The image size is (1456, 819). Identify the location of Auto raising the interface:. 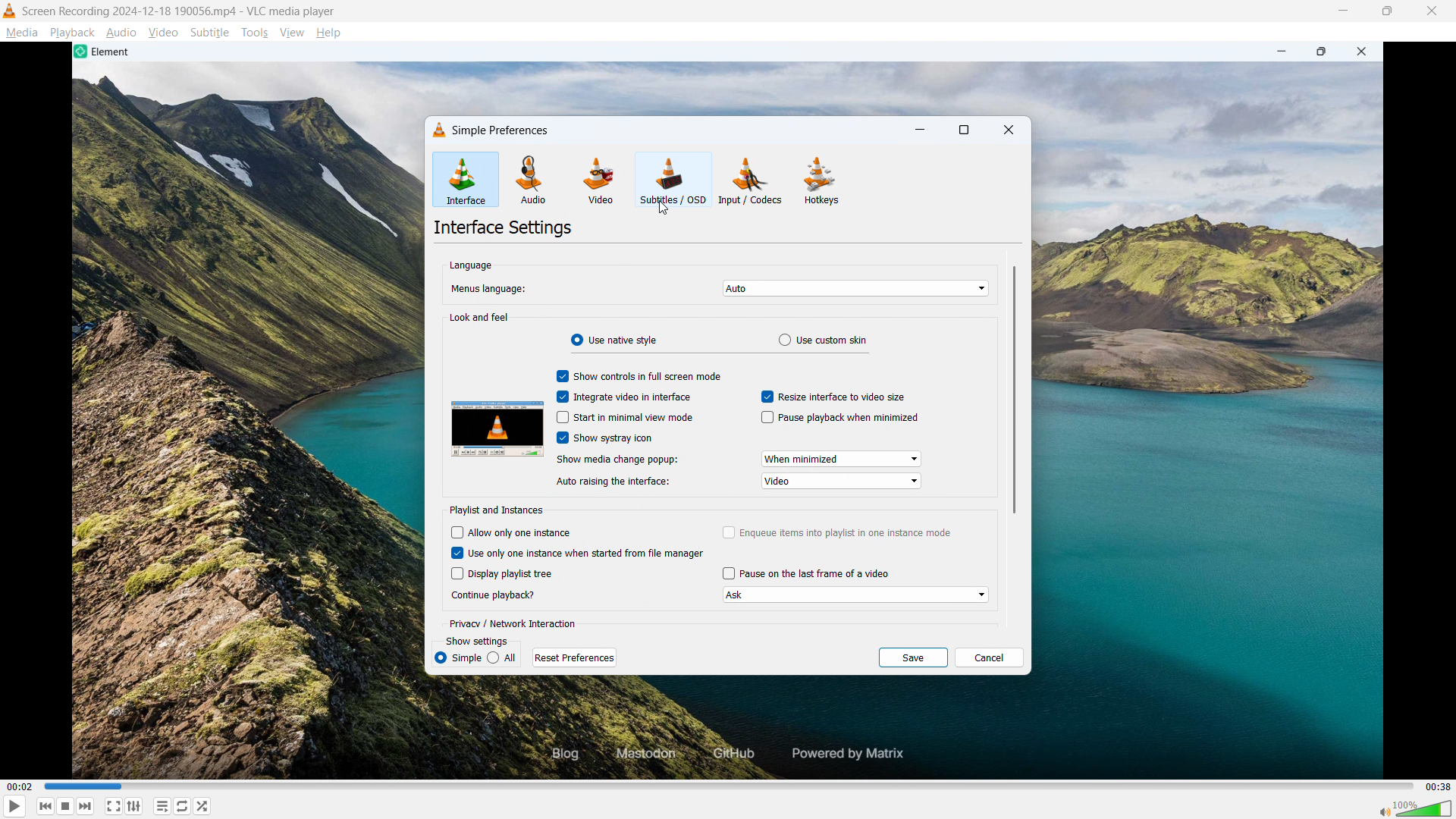
(623, 482).